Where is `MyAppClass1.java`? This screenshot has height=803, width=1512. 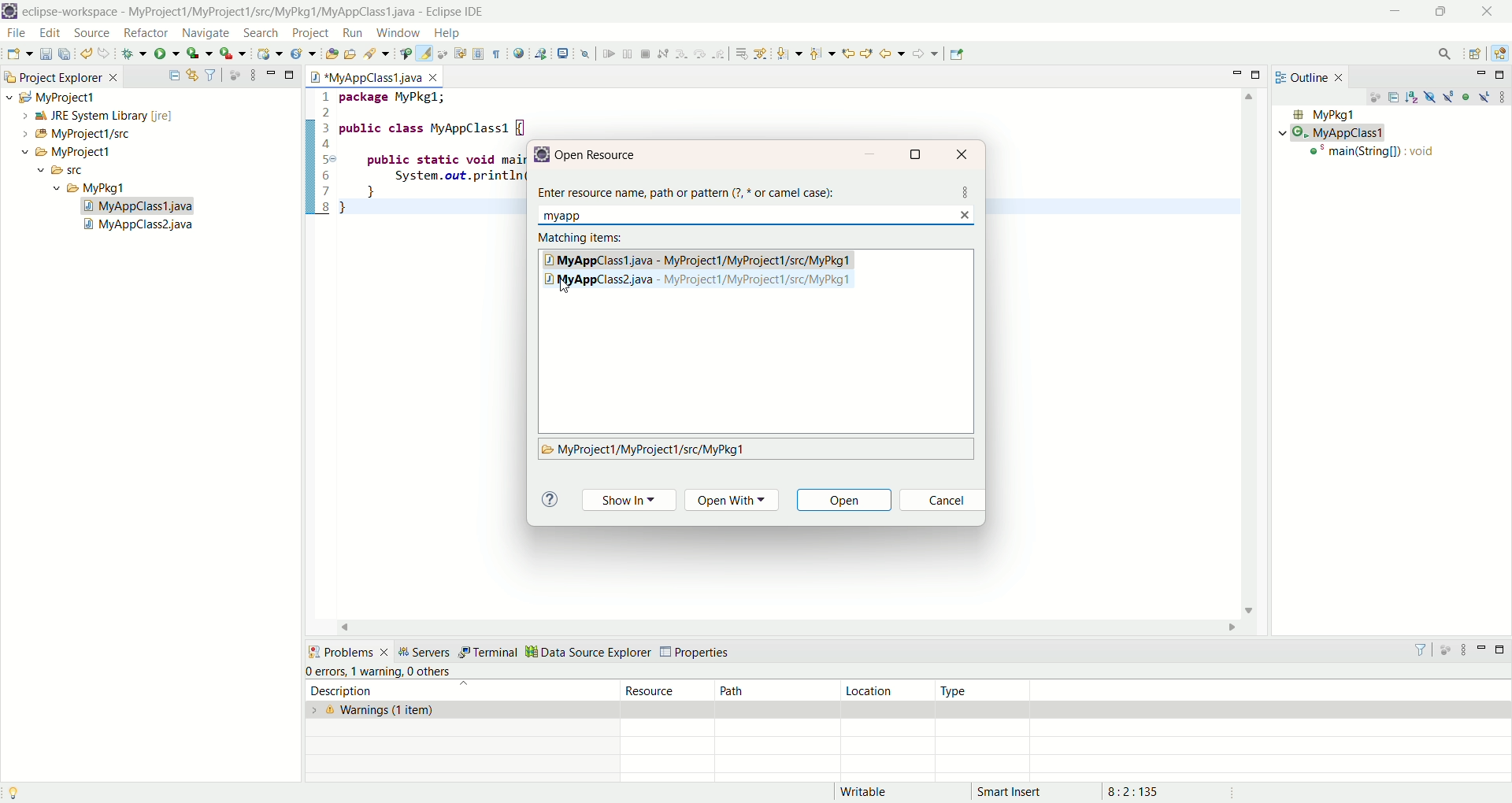
MyAppClass1.java is located at coordinates (139, 206).